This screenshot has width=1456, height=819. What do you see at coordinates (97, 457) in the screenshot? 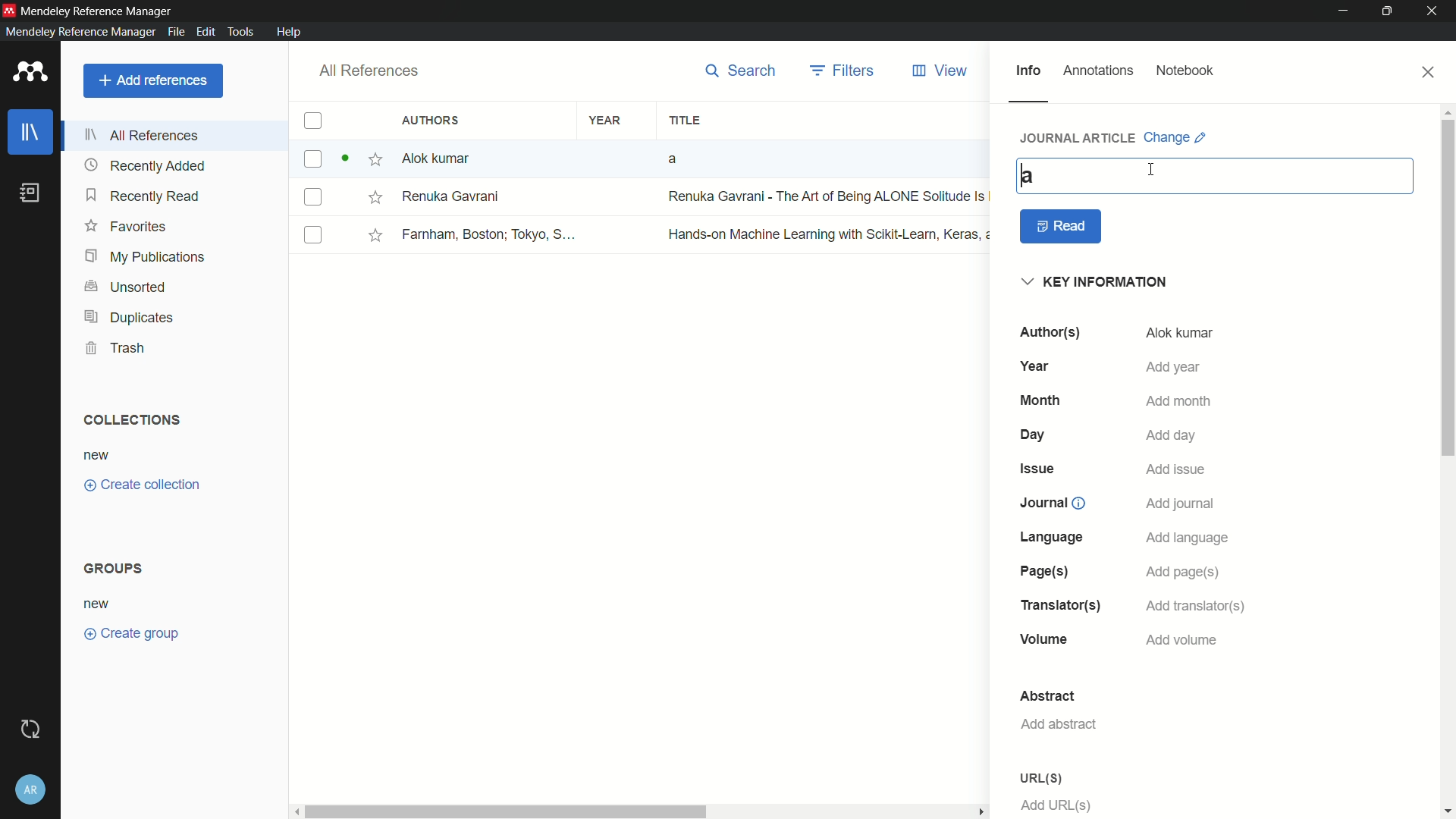
I see `new` at bounding box center [97, 457].